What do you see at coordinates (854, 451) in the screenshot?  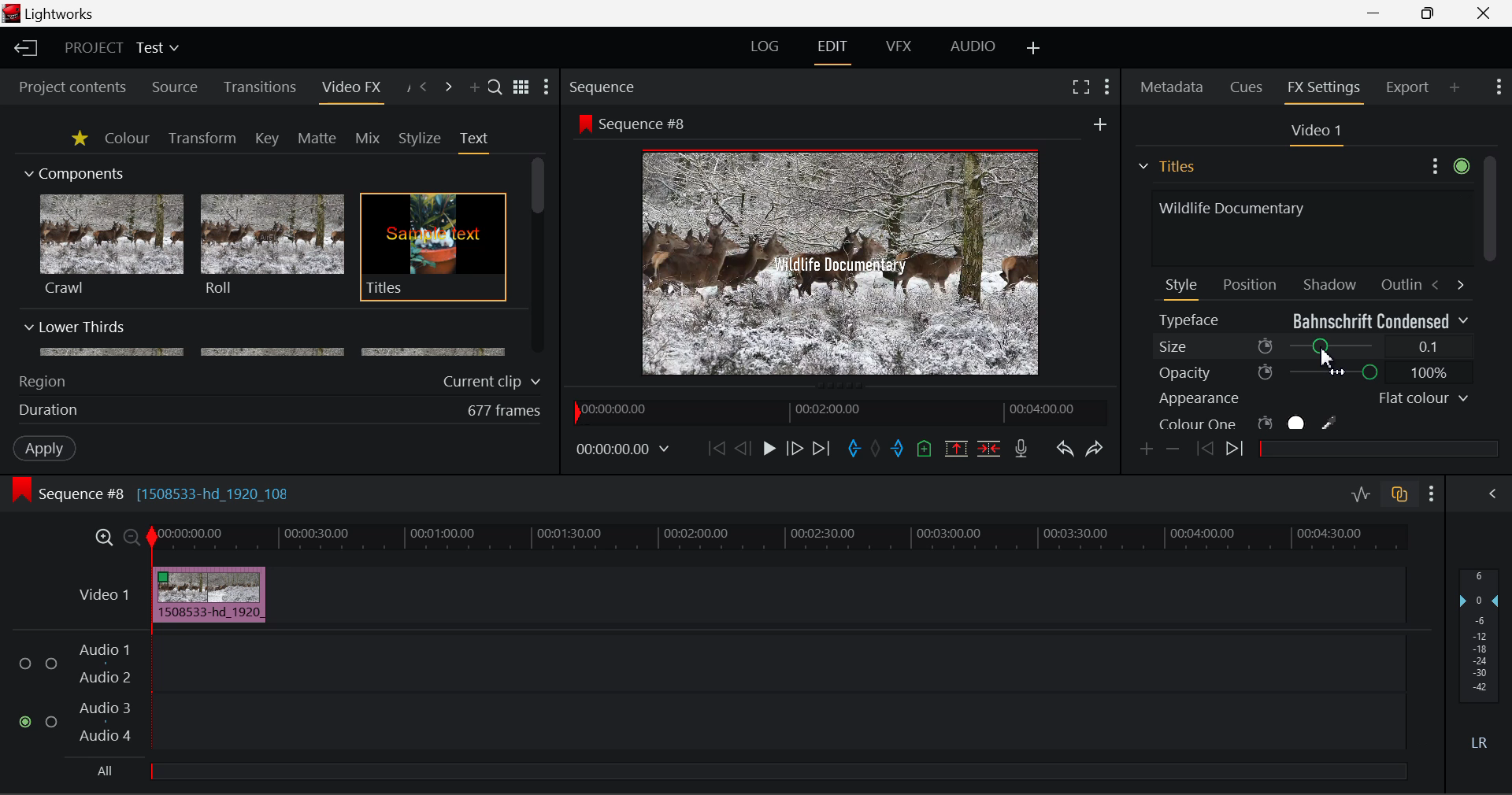 I see `Mark In` at bounding box center [854, 451].